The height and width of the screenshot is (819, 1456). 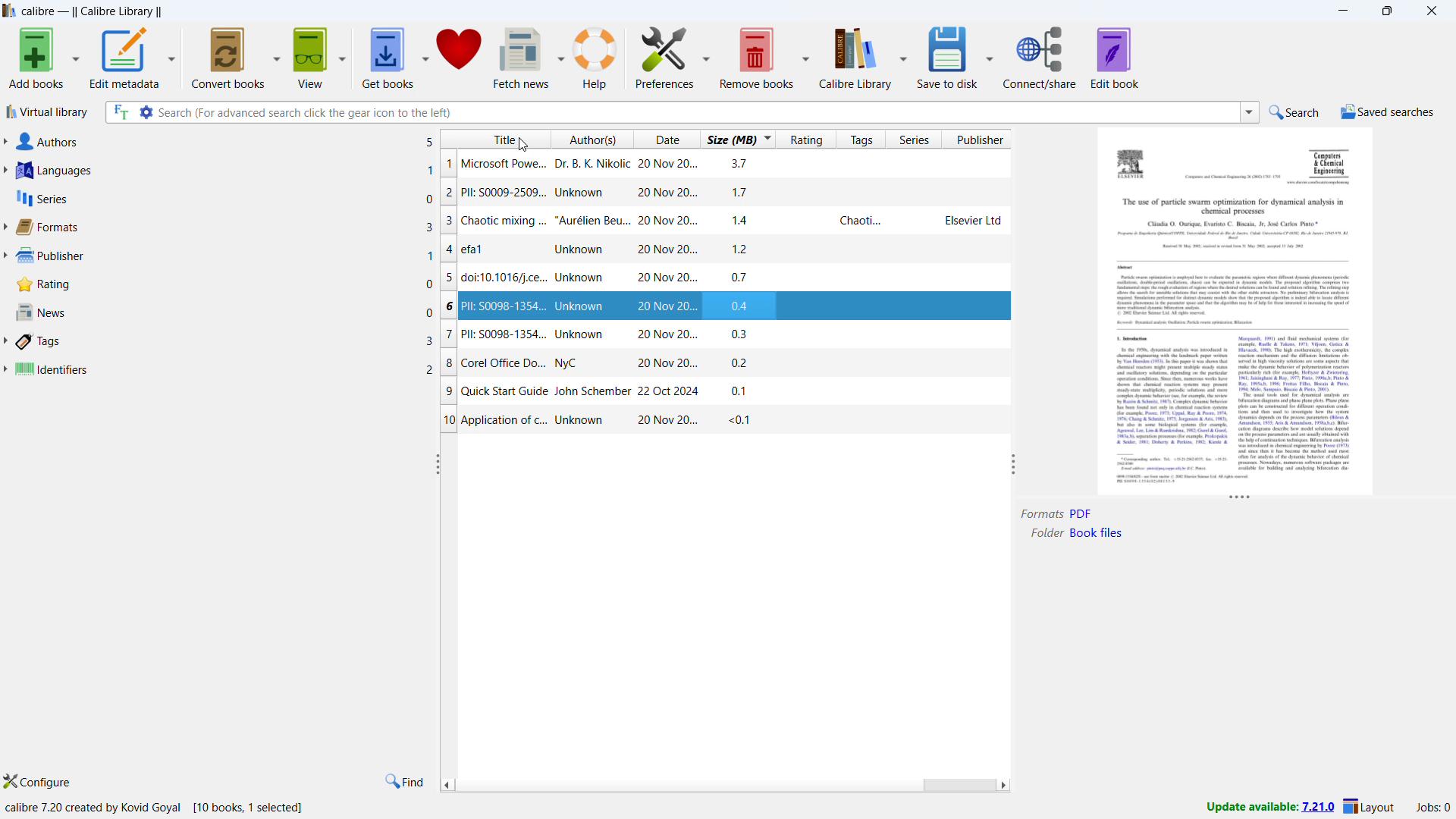 What do you see at coordinates (743, 362) in the screenshot?
I see `02` at bounding box center [743, 362].